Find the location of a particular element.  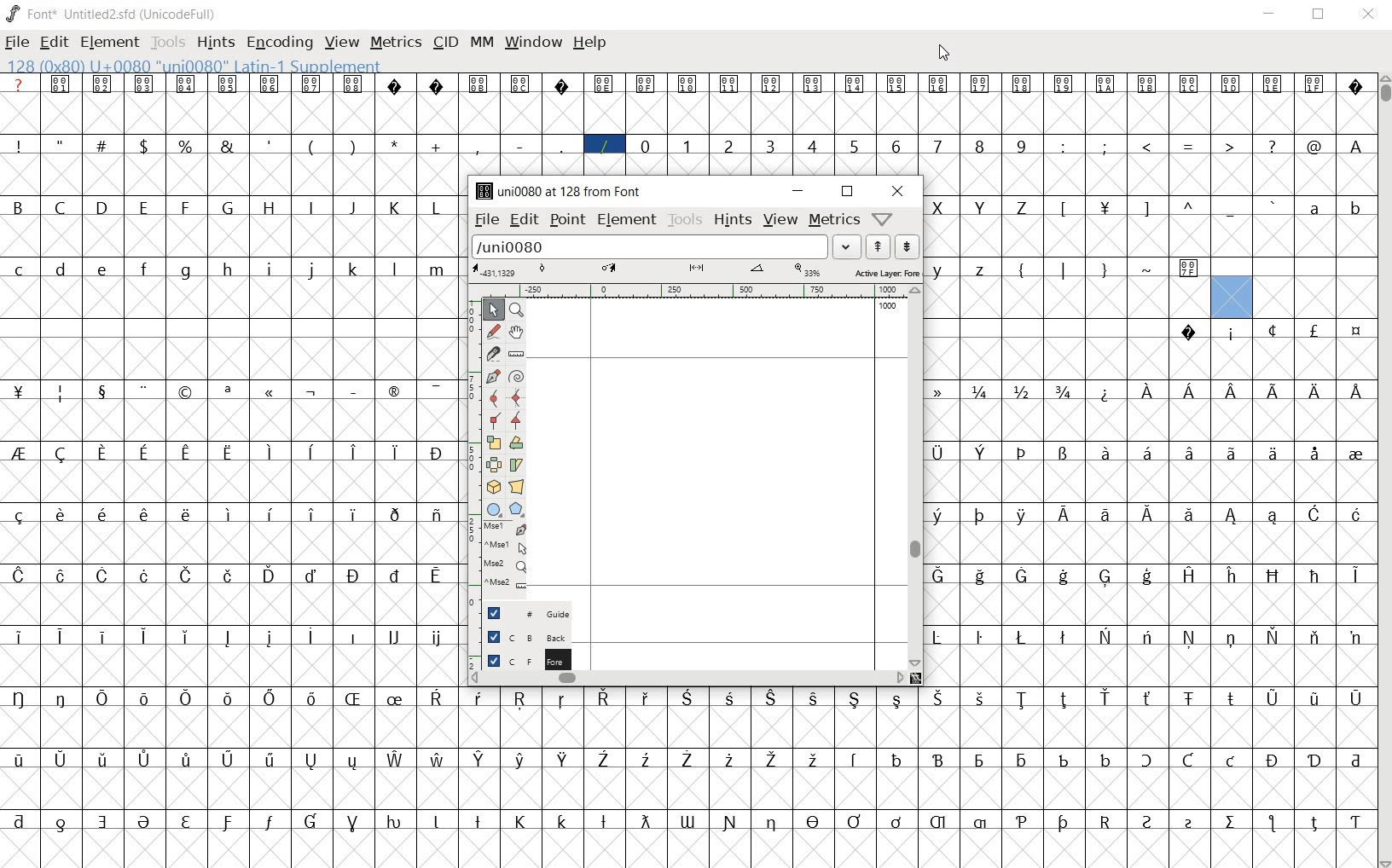

glyph is located at coordinates (1232, 392).